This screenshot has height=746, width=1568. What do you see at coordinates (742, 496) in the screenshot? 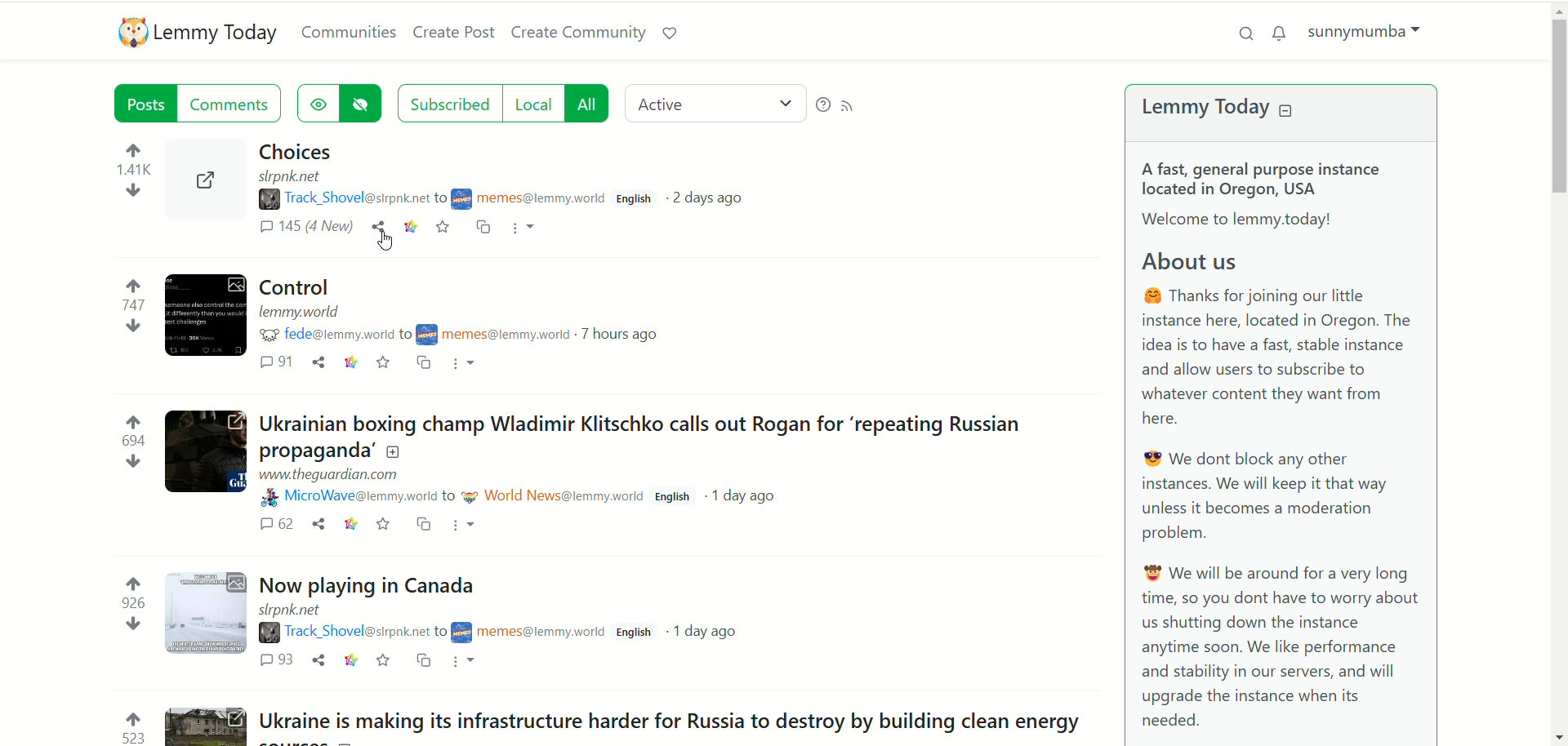
I see `1 day ago` at bounding box center [742, 496].